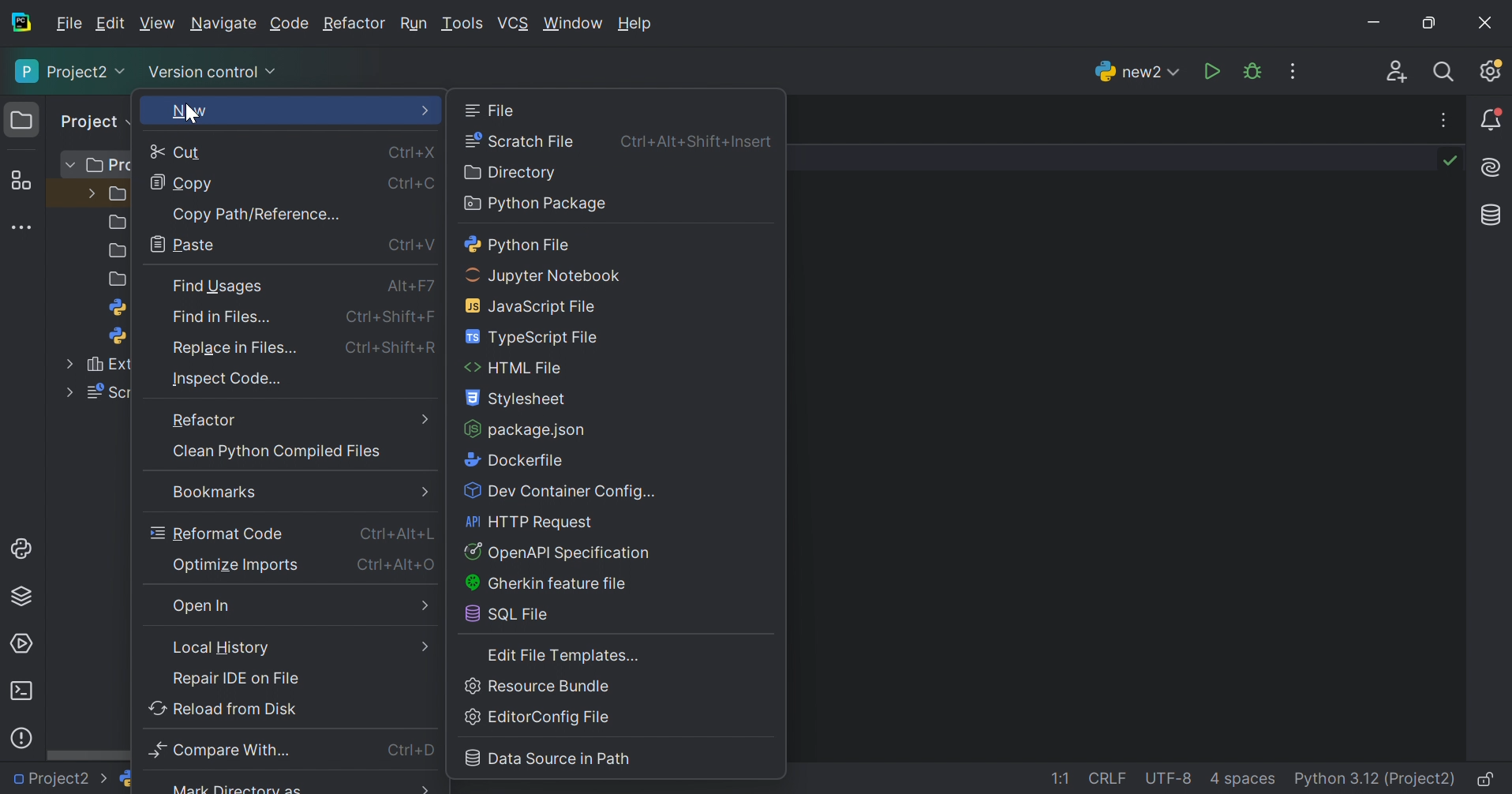  I want to click on Close, so click(1488, 22).